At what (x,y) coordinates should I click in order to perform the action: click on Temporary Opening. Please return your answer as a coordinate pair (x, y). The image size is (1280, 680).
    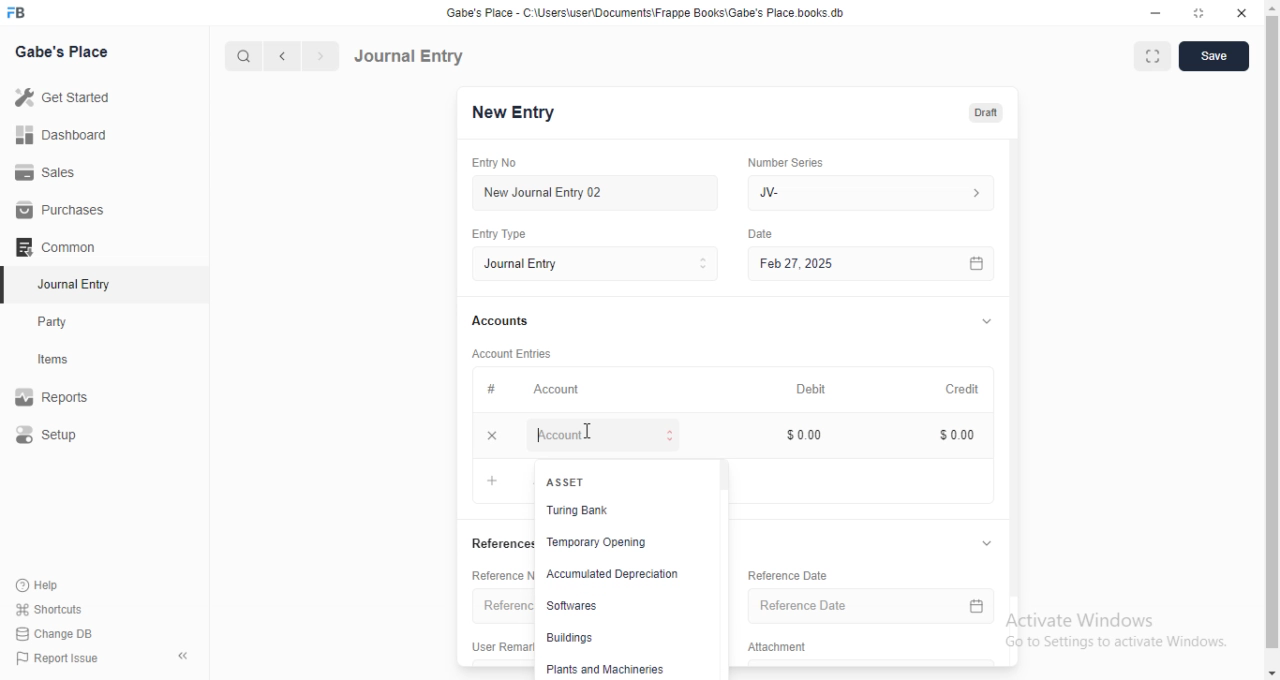
    Looking at the image, I should click on (604, 539).